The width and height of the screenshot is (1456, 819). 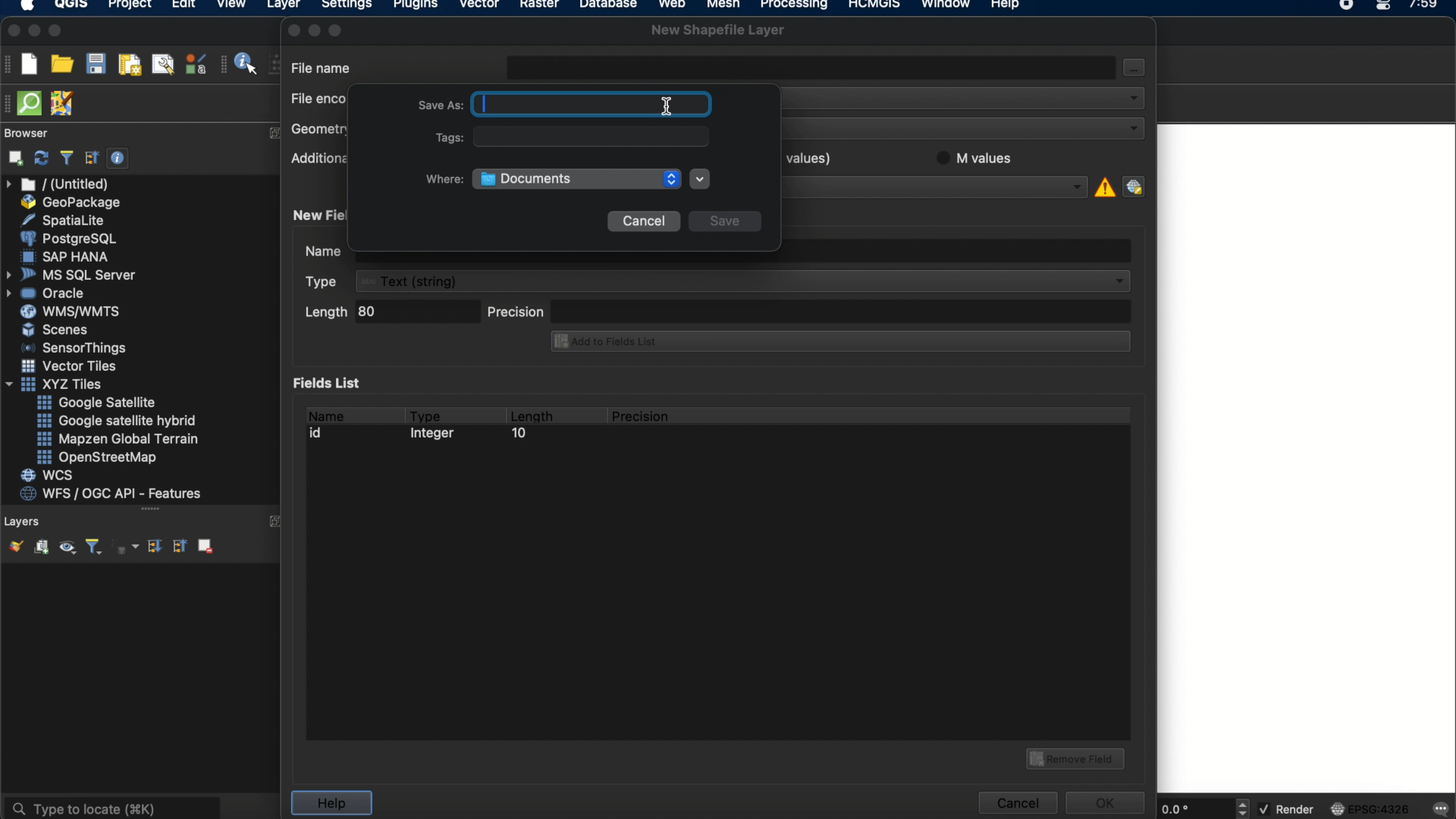 What do you see at coordinates (12, 546) in the screenshot?
I see `open the layer` at bounding box center [12, 546].